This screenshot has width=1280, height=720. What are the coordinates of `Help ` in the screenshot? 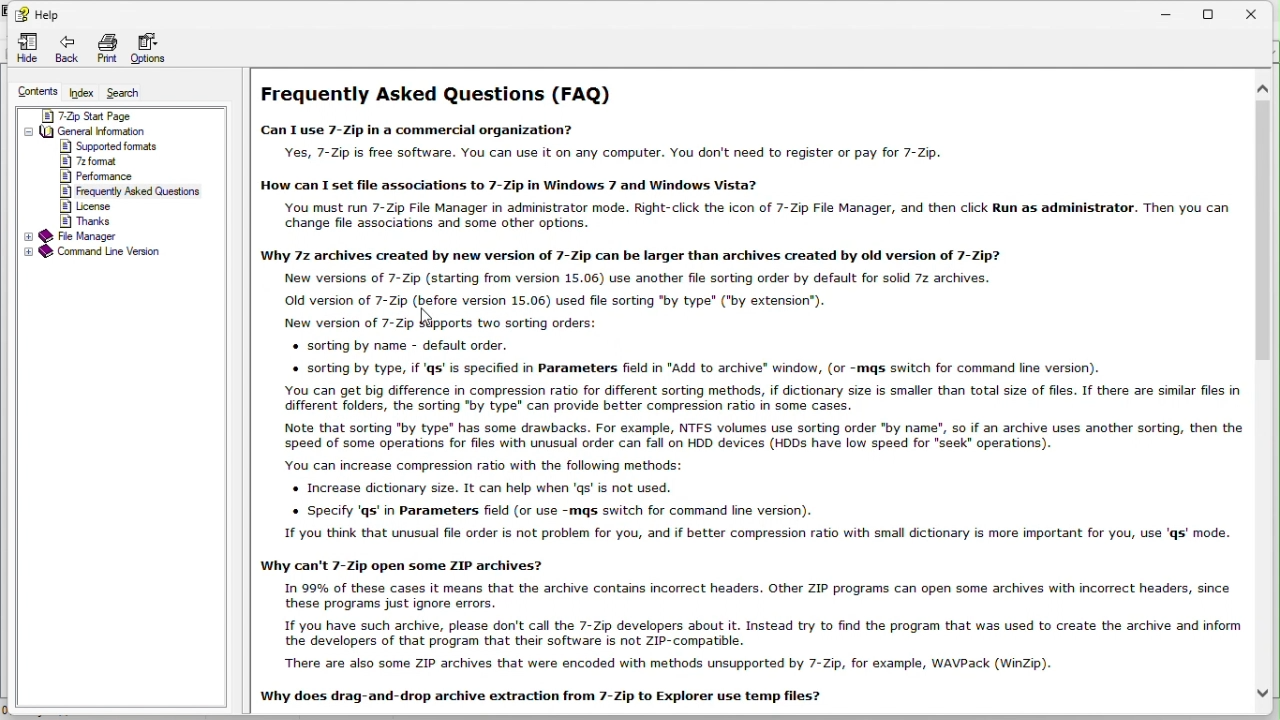 It's located at (39, 13).